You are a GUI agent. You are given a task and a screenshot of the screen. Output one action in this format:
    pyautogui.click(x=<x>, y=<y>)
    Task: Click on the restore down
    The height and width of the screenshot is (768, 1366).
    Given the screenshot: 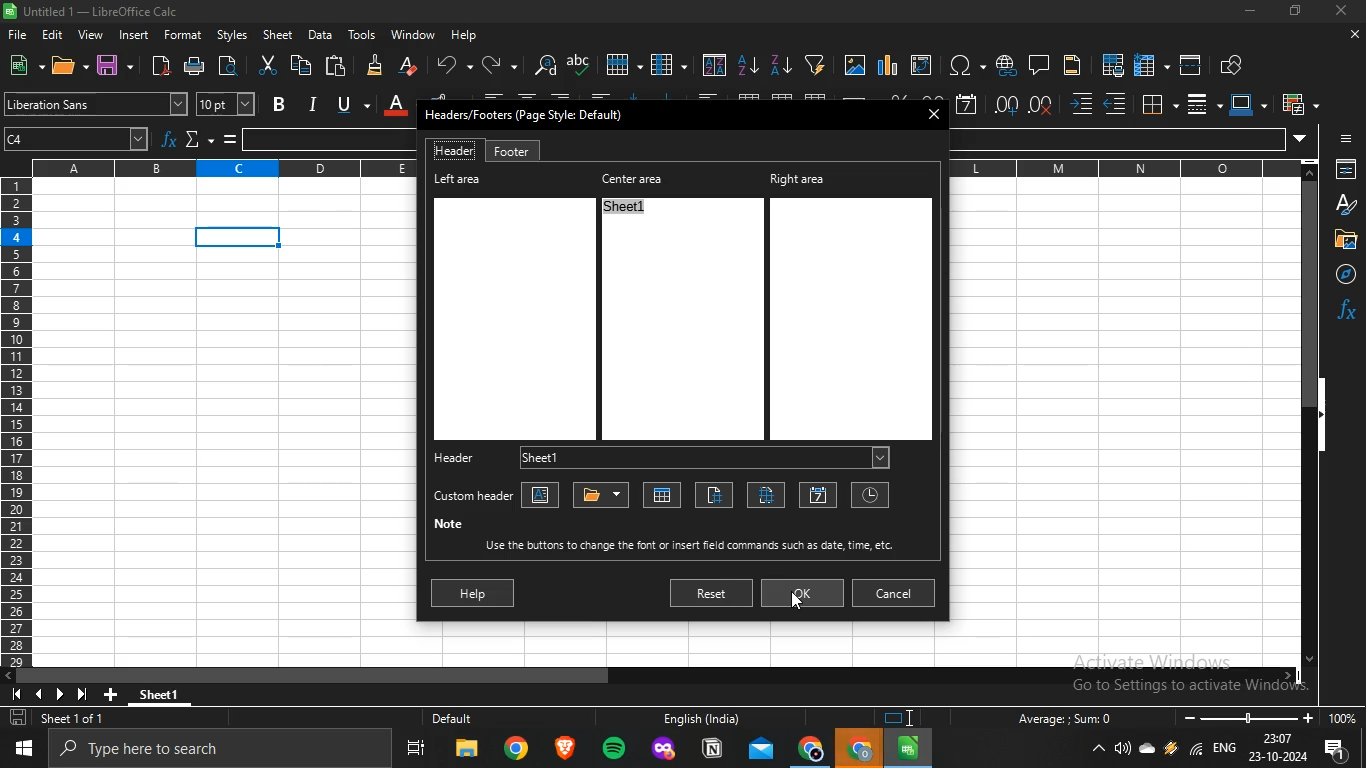 What is the action you would take?
    pyautogui.click(x=1295, y=12)
    